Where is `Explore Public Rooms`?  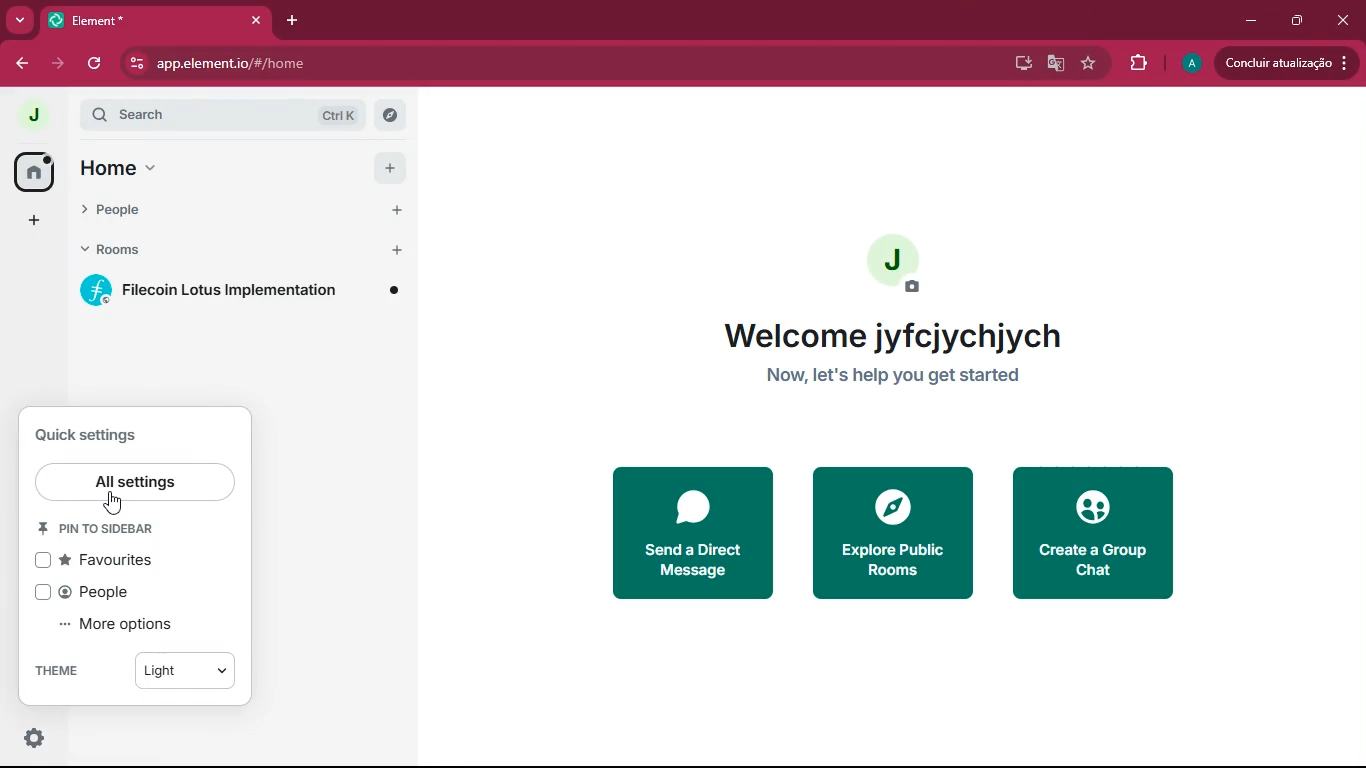
Explore Public Rooms is located at coordinates (889, 537).